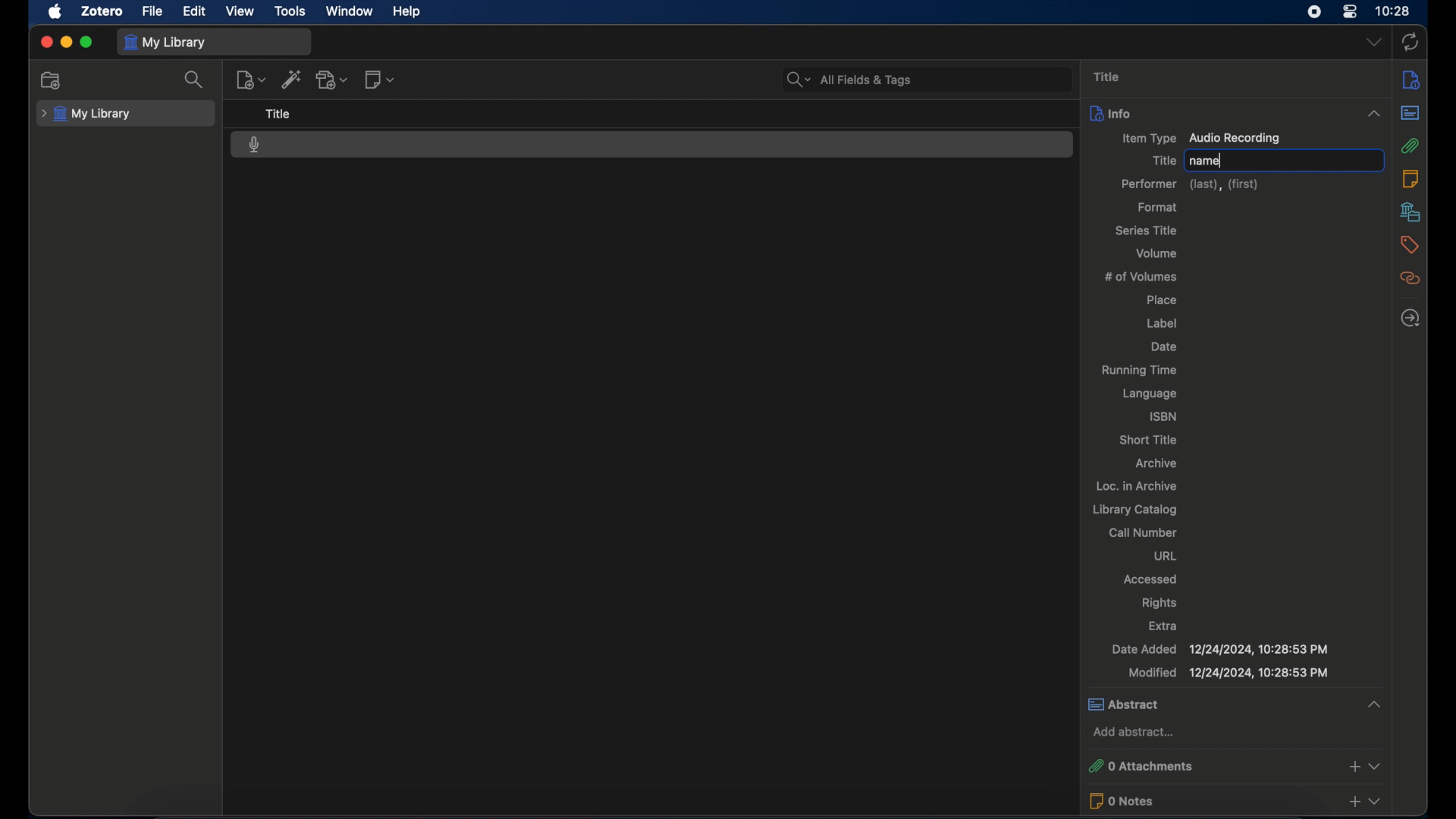  I want to click on new collection, so click(54, 80).